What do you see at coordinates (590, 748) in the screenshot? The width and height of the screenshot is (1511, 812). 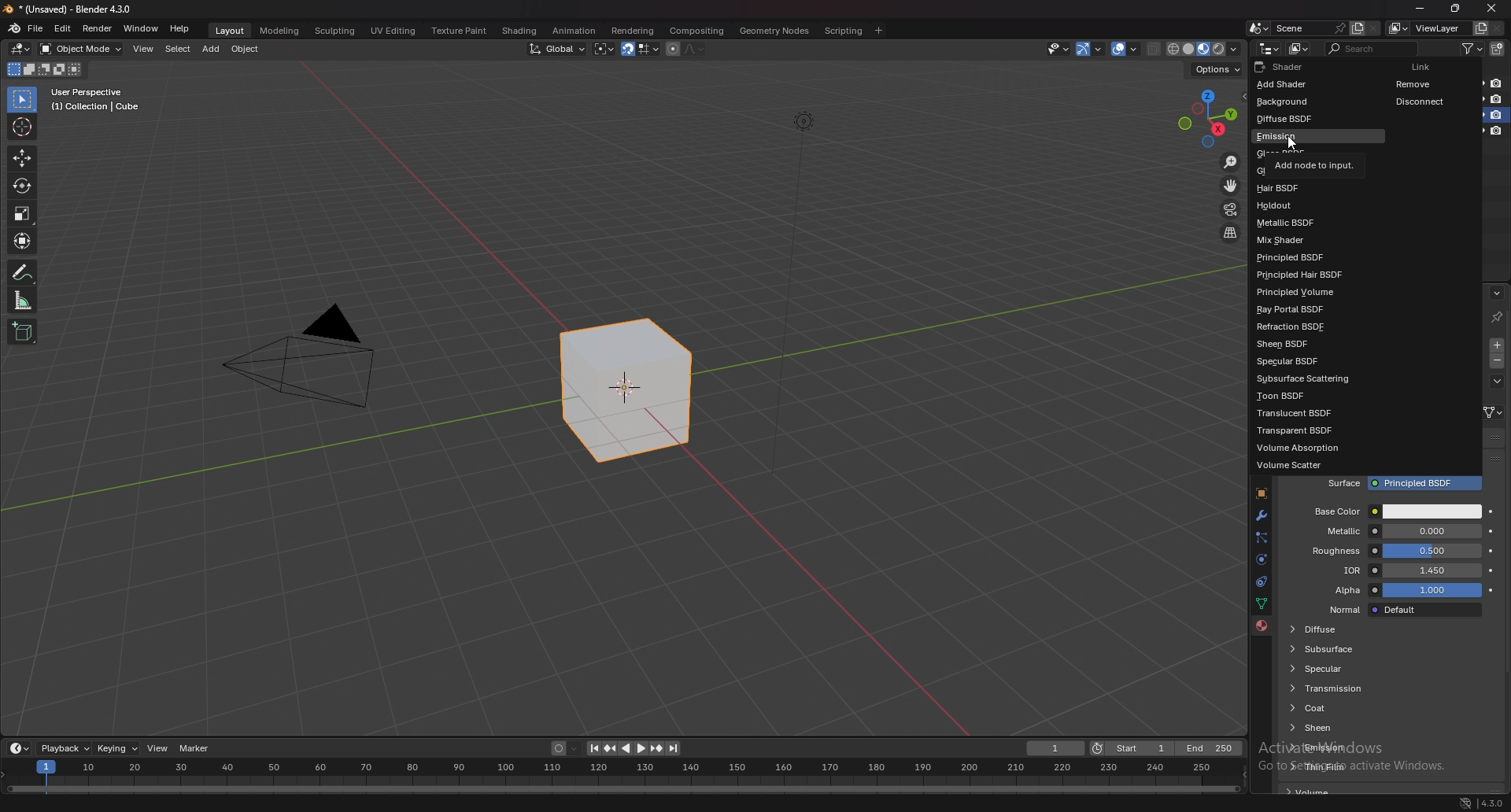 I see `jump to endpoint` at bounding box center [590, 748].